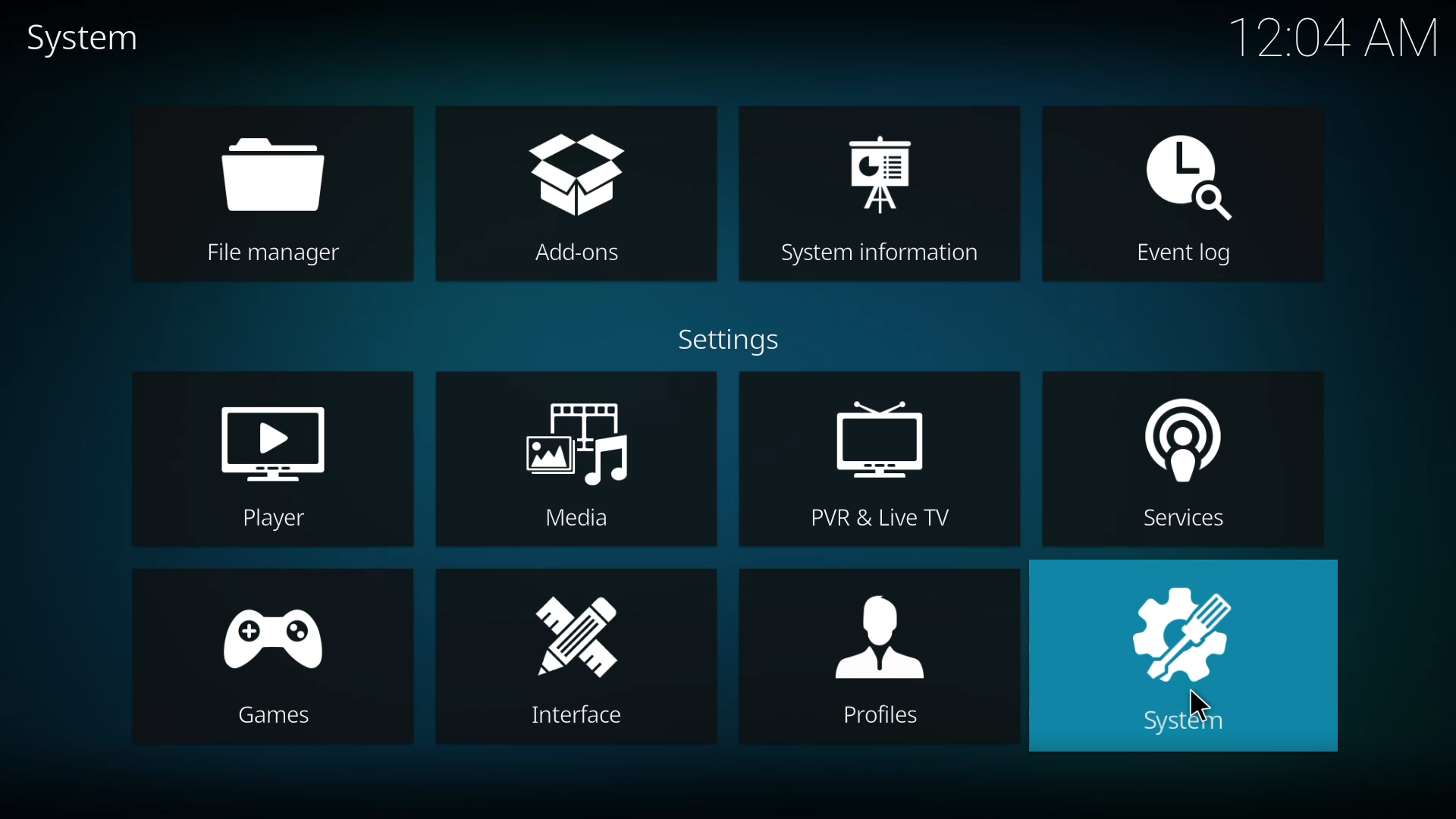 This screenshot has width=1456, height=819. I want to click on time, so click(1332, 37).